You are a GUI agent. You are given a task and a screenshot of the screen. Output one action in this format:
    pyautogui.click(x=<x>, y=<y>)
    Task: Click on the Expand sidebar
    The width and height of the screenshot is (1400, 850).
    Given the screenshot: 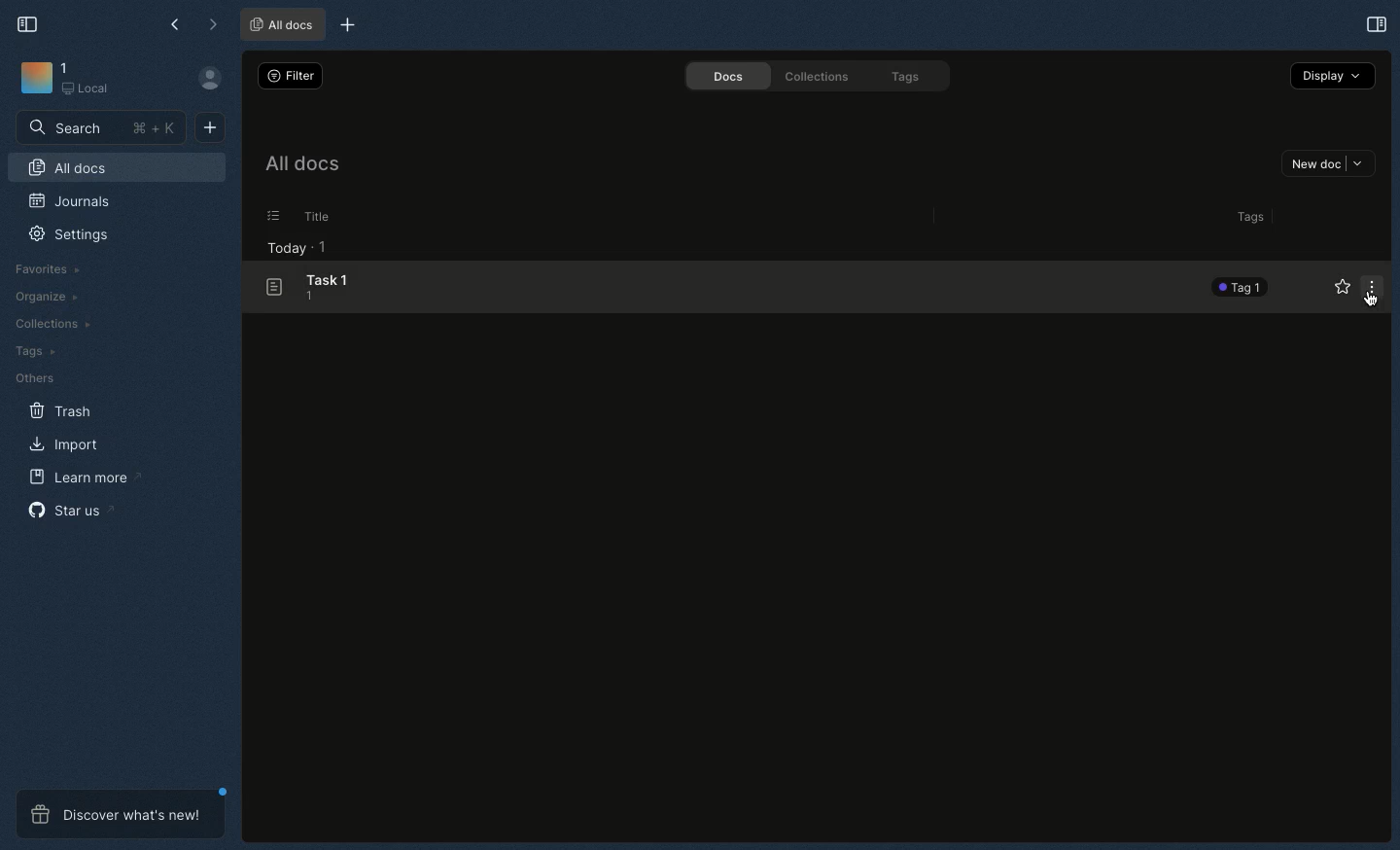 What is the action you would take?
    pyautogui.click(x=1377, y=25)
    